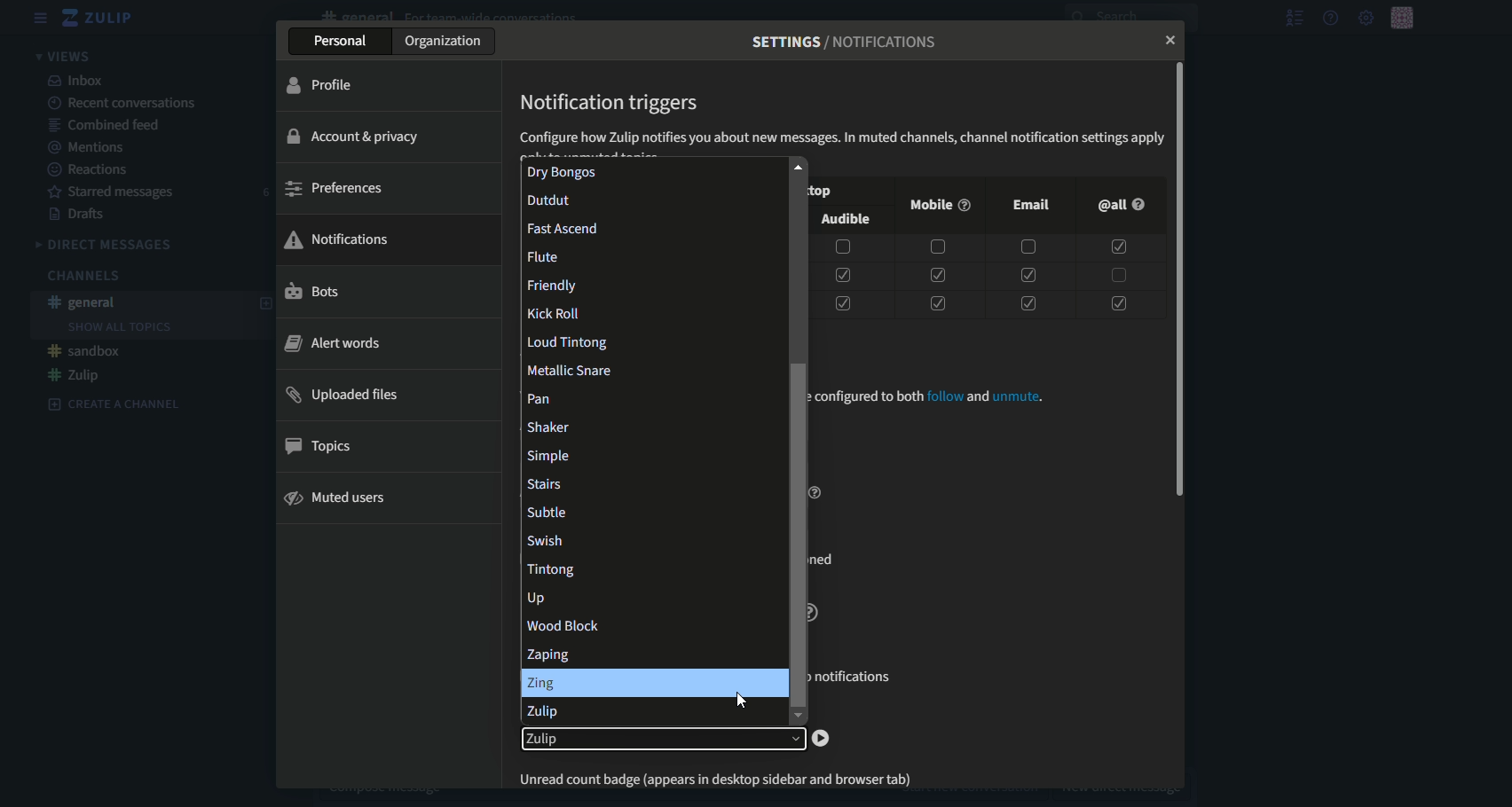 This screenshot has height=807, width=1512. What do you see at coordinates (654, 254) in the screenshot?
I see `flute` at bounding box center [654, 254].